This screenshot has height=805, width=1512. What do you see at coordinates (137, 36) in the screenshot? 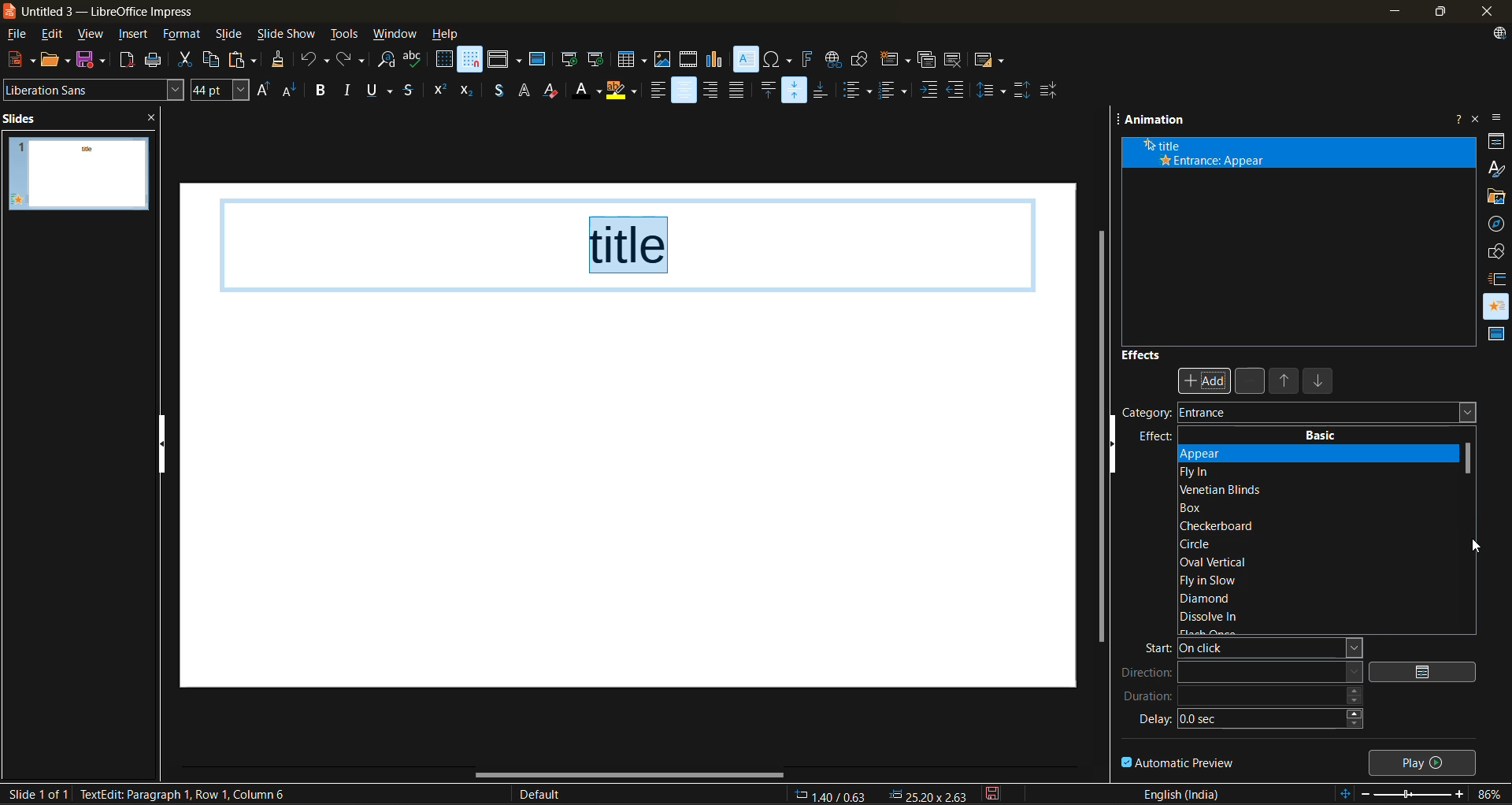
I see `insert` at bounding box center [137, 36].